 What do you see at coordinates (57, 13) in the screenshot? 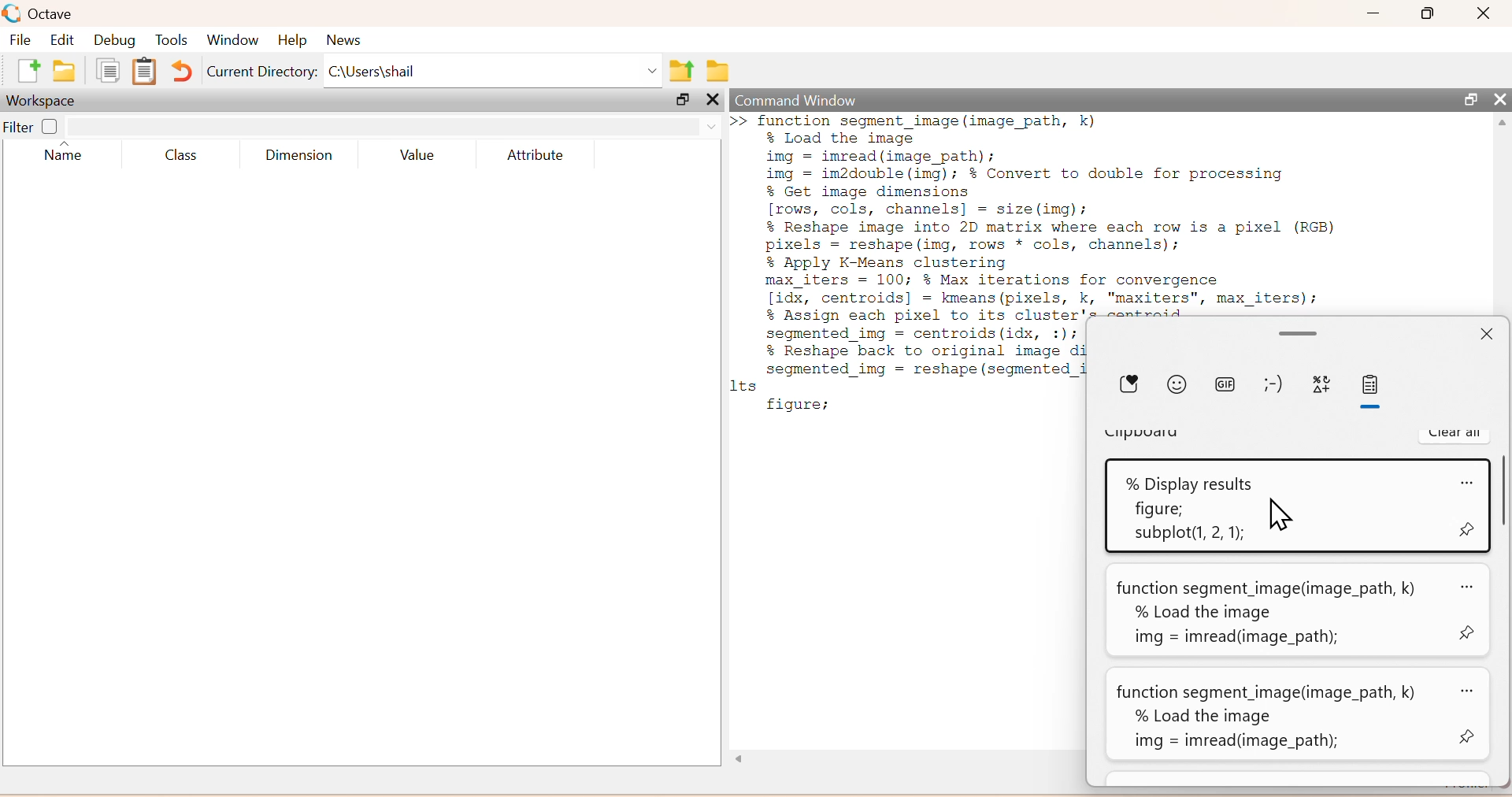
I see `Octave` at bounding box center [57, 13].